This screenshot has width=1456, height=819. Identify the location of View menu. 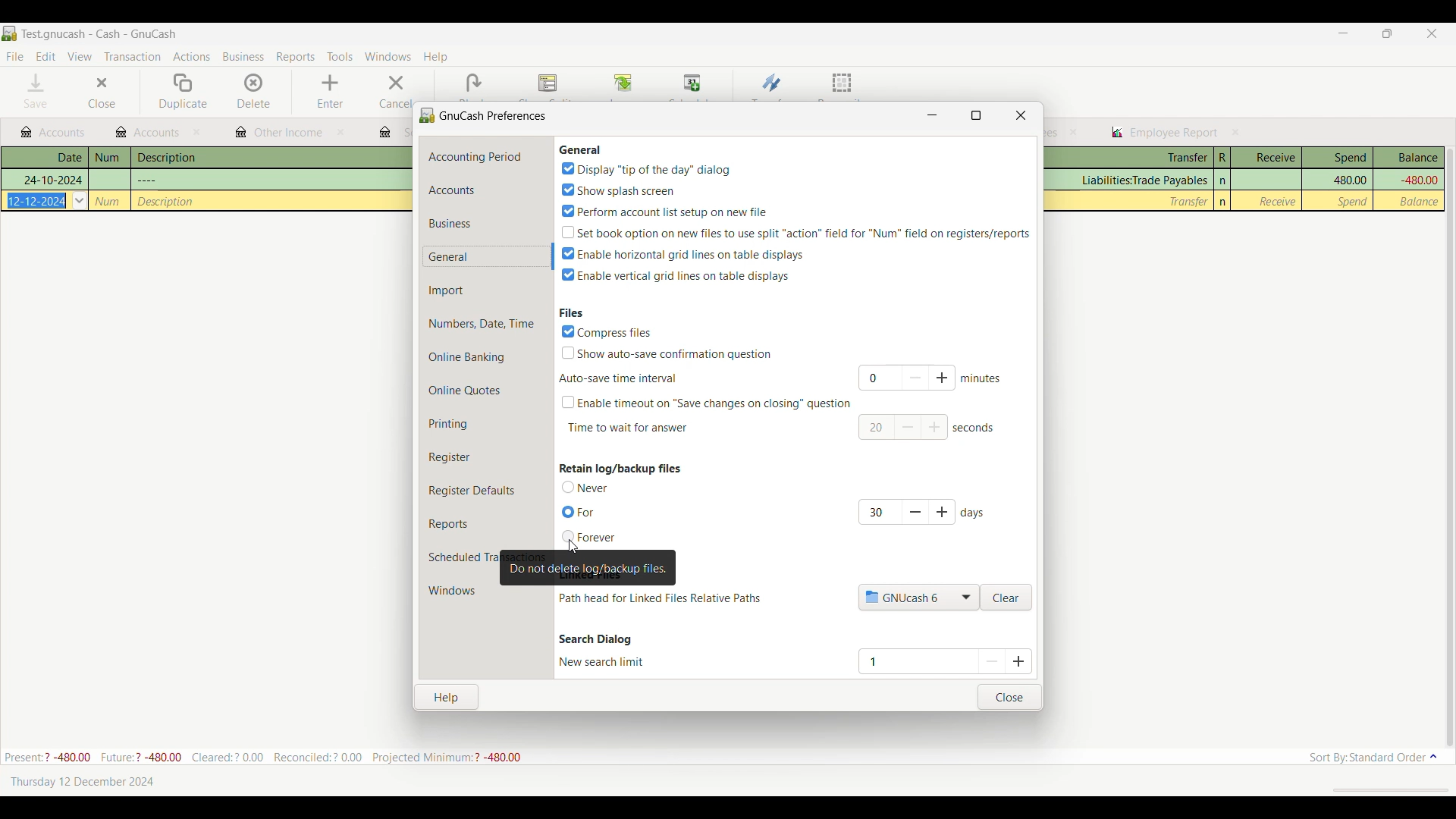
(80, 56).